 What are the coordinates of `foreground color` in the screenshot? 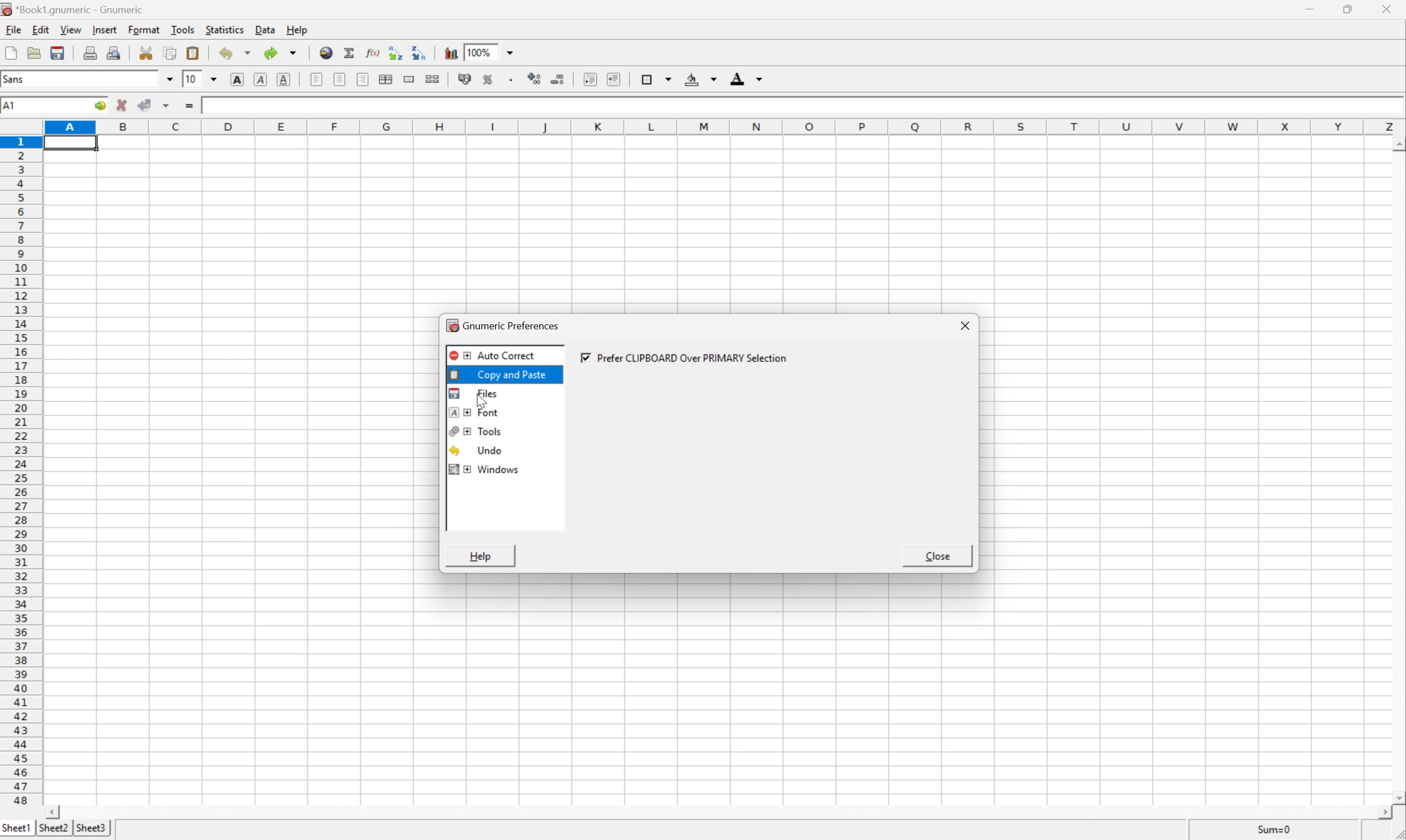 It's located at (746, 78).